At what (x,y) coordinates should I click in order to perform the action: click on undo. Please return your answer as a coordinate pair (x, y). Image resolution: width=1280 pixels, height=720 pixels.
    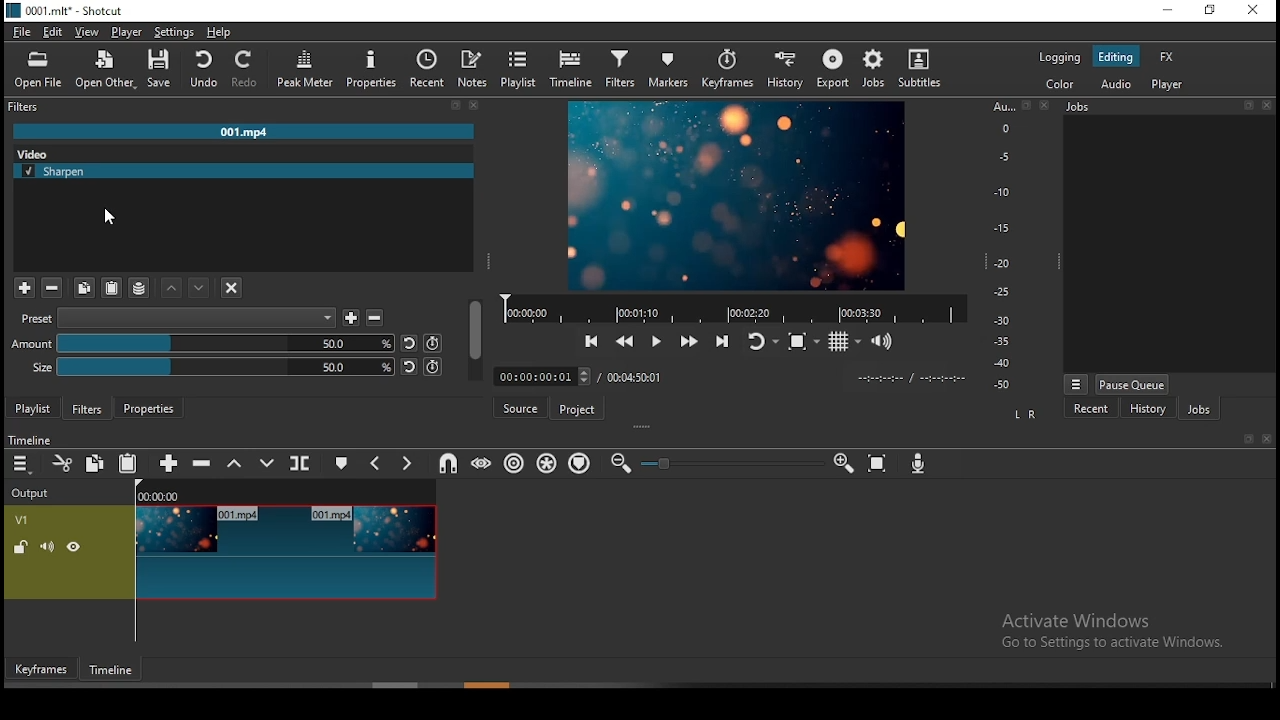
    Looking at the image, I should click on (203, 70).